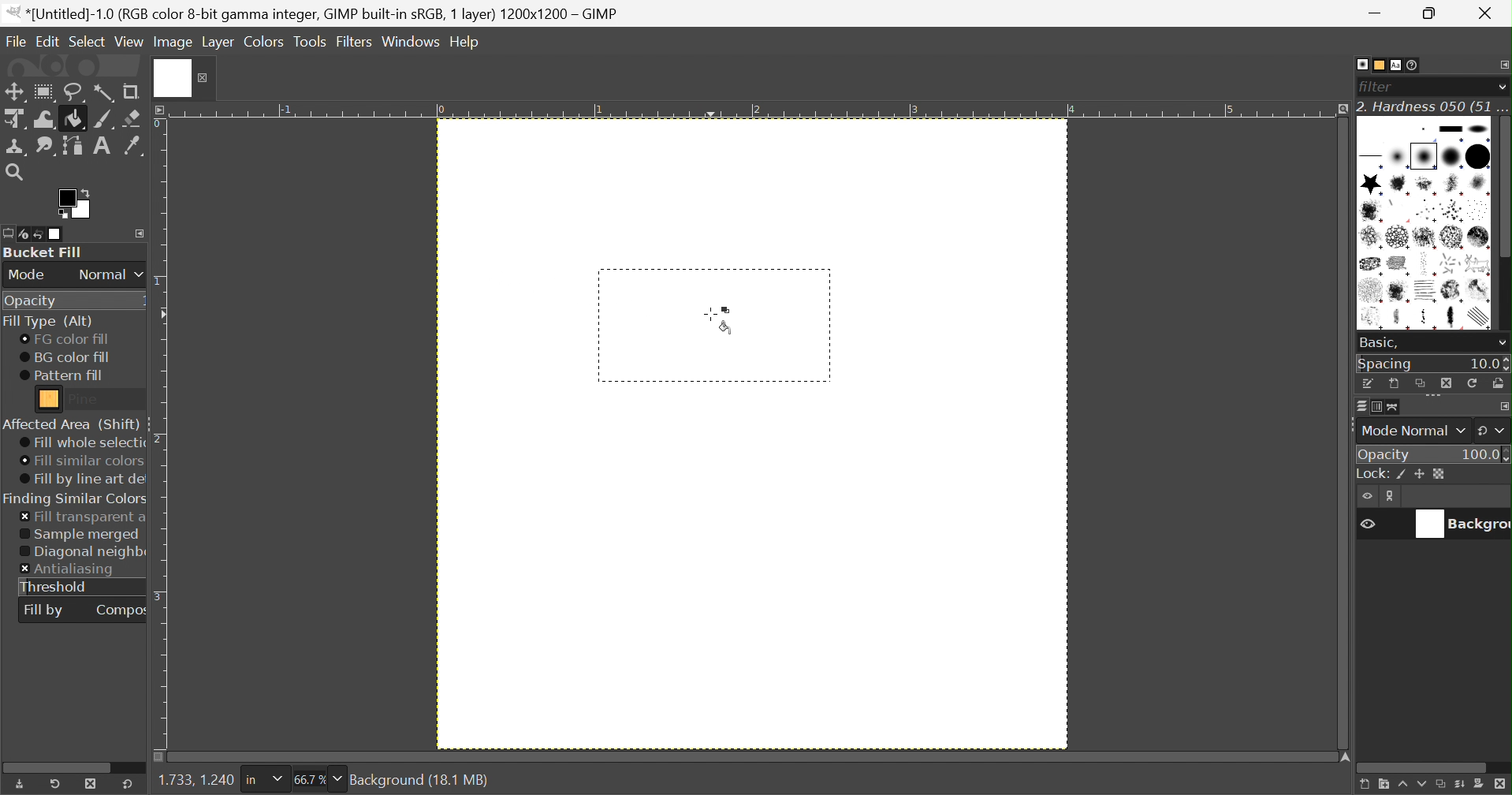  I want to click on Create a new layer and add it to the image, so click(1362, 786).